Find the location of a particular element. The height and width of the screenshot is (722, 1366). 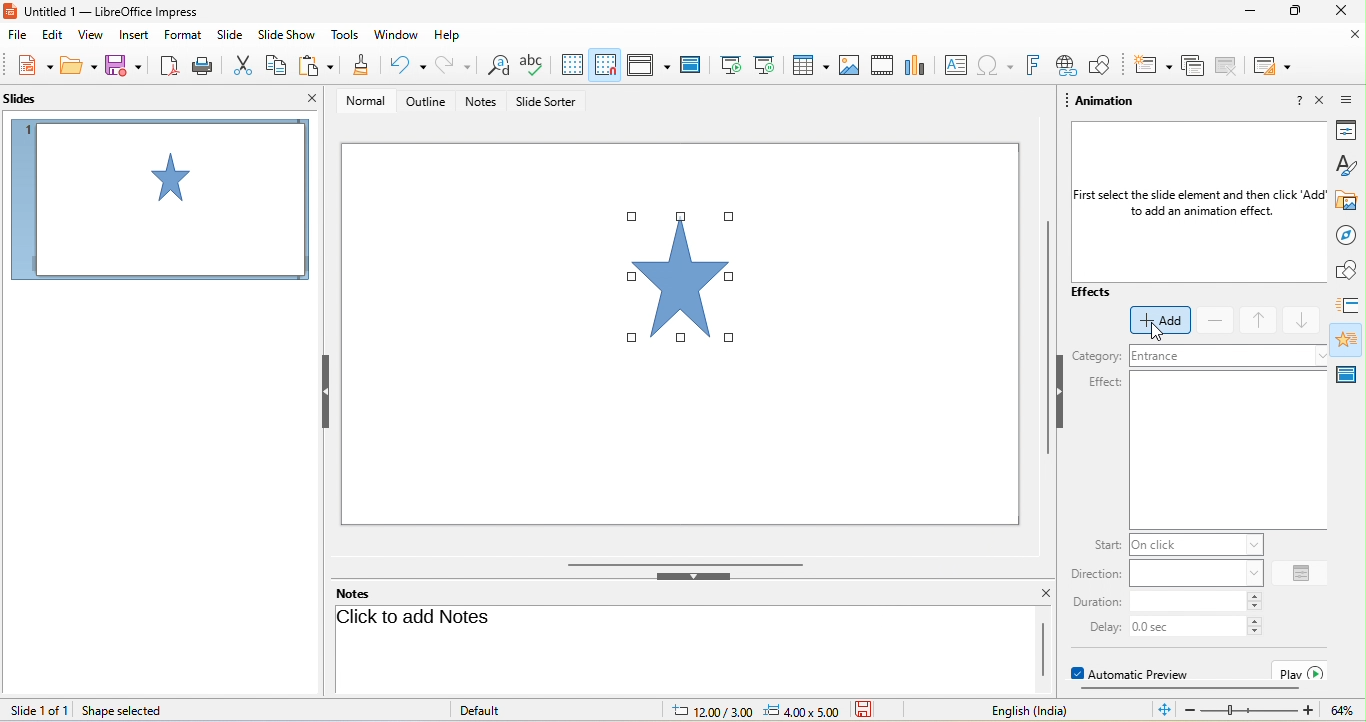

tools is located at coordinates (344, 36).